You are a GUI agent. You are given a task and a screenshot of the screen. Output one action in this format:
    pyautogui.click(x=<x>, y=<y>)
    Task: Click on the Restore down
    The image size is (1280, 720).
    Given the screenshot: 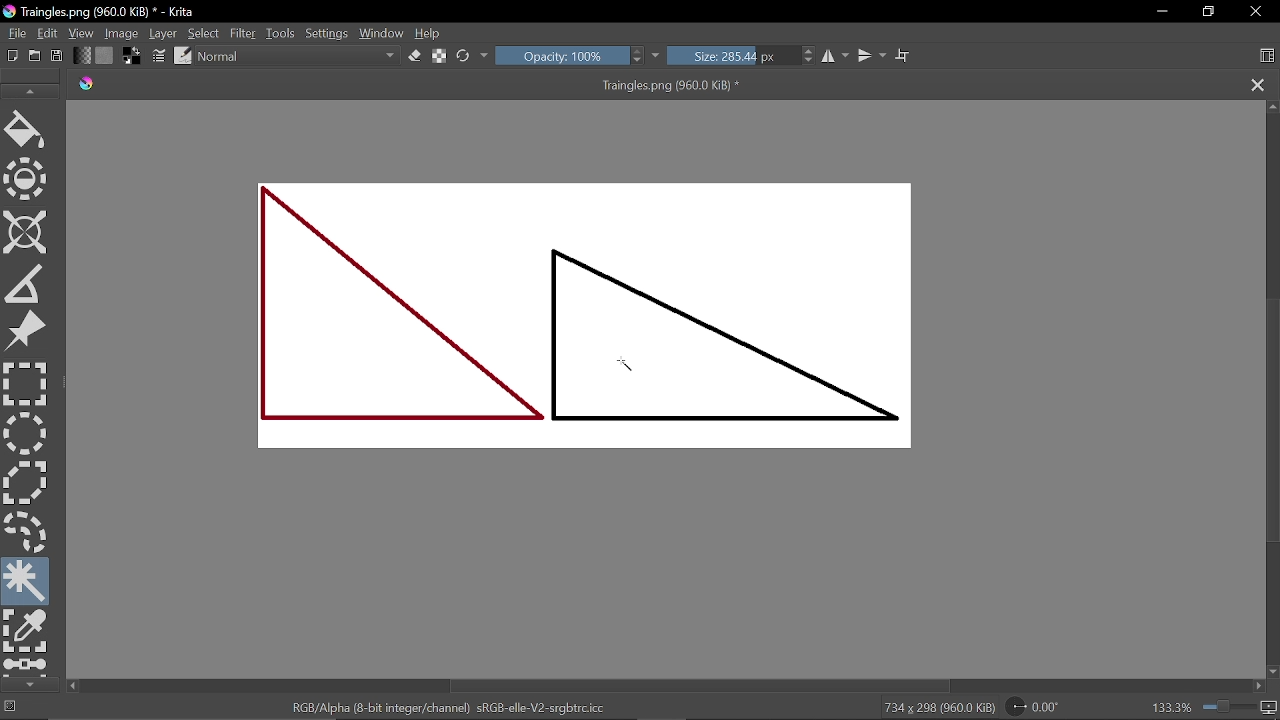 What is the action you would take?
    pyautogui.click(x=1208, y=11)
    